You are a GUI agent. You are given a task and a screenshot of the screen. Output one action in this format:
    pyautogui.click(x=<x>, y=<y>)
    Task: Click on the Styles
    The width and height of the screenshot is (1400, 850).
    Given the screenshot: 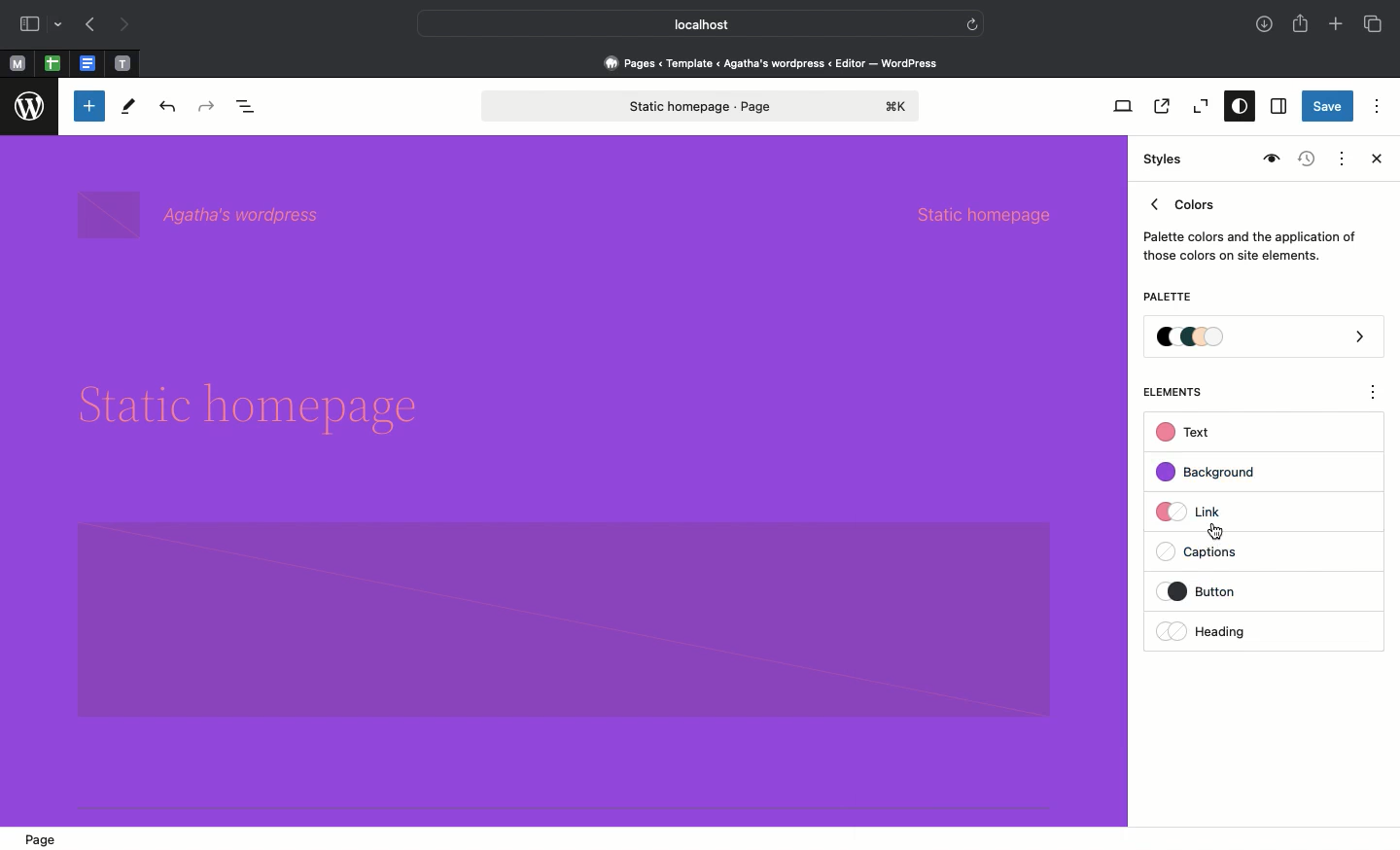 What is the action you would take?
    pyautogui.click(x=1235, y=108)
    